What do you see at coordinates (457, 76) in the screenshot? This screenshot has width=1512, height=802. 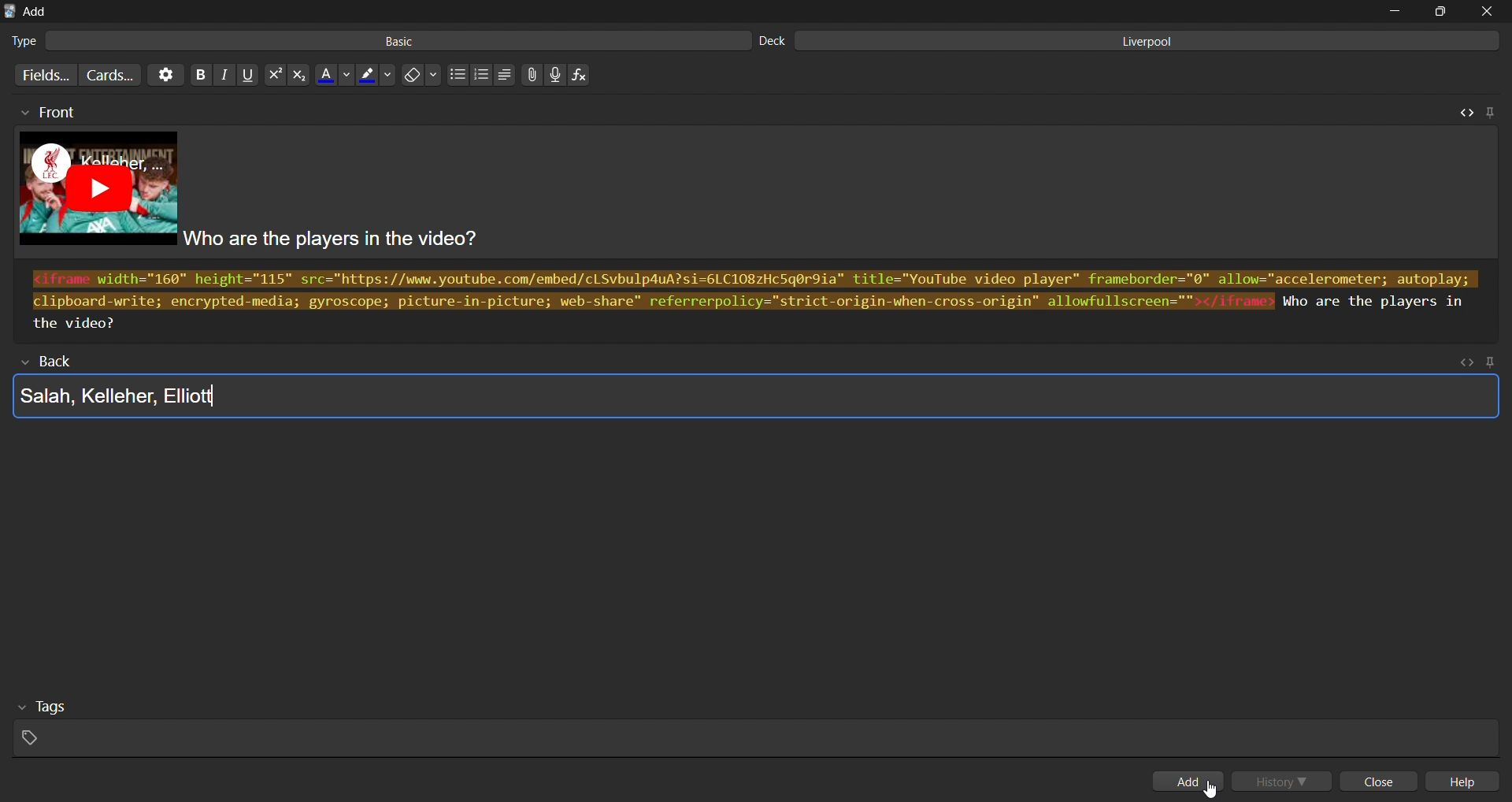 I see `unordered list` at bounding box center [457, 76].